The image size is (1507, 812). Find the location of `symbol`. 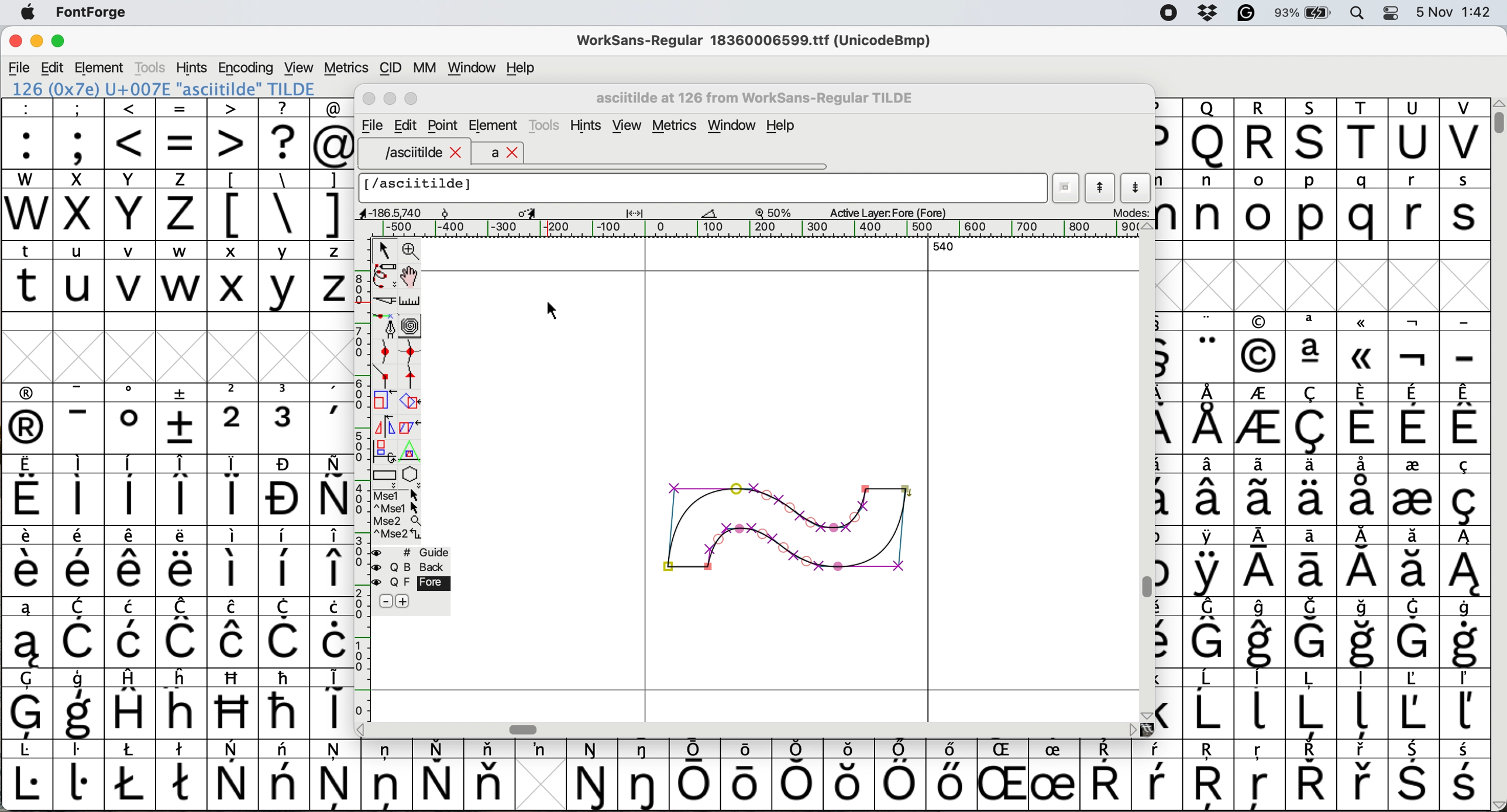

symbol is located at coordinates (183, 418).